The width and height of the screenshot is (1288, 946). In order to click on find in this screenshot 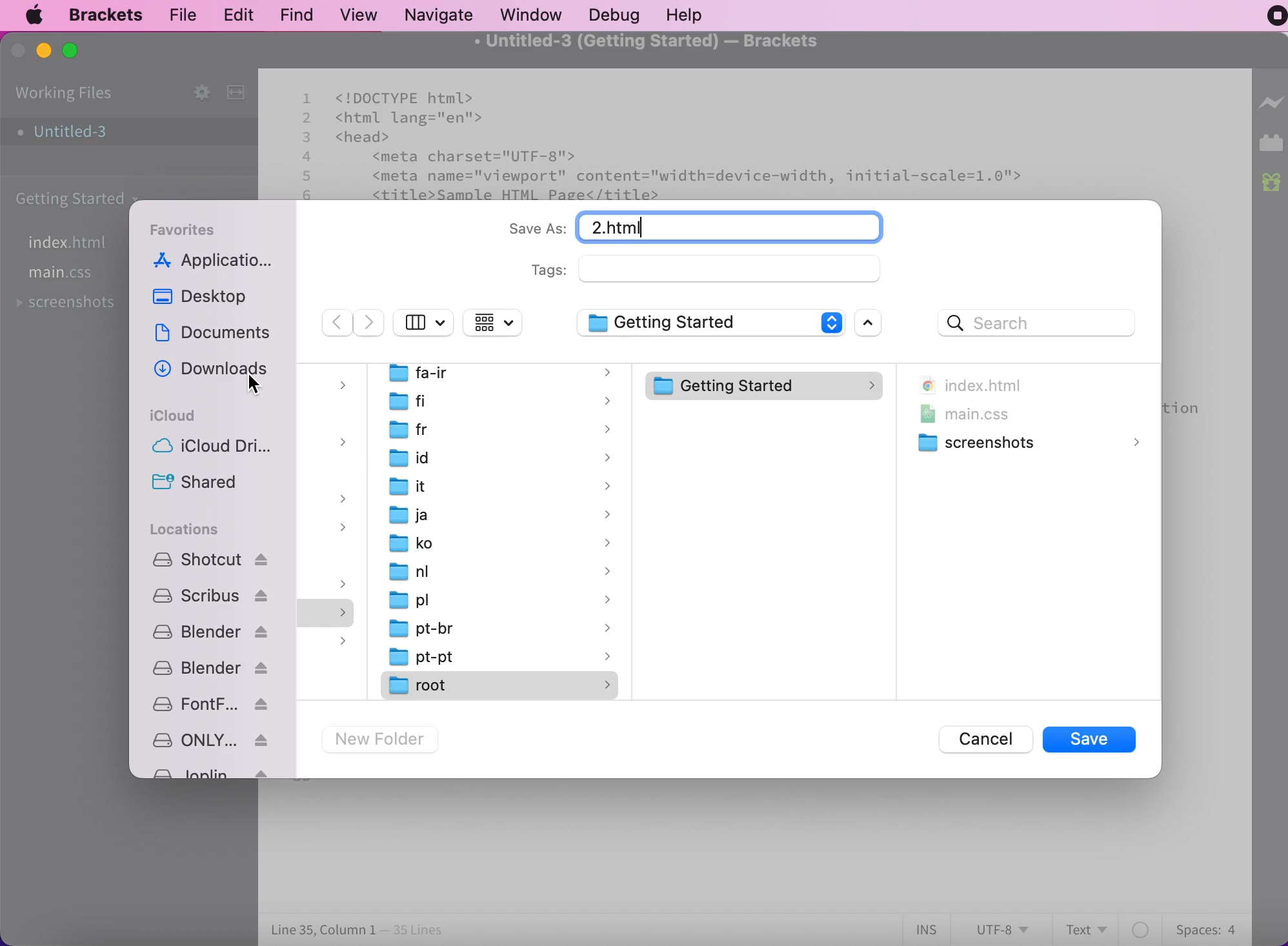, I will do `click(299, 14)`.